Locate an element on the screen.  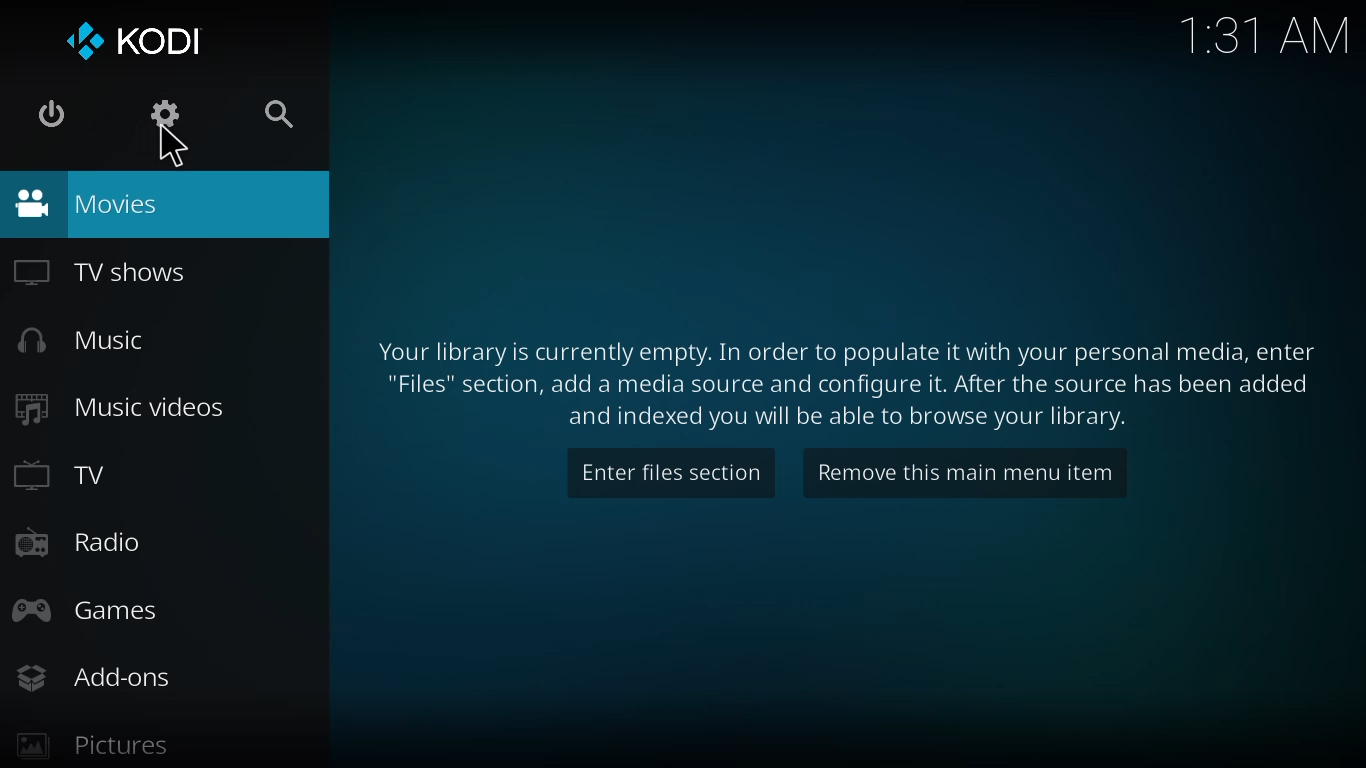
music is located at coordinates (90, 341).